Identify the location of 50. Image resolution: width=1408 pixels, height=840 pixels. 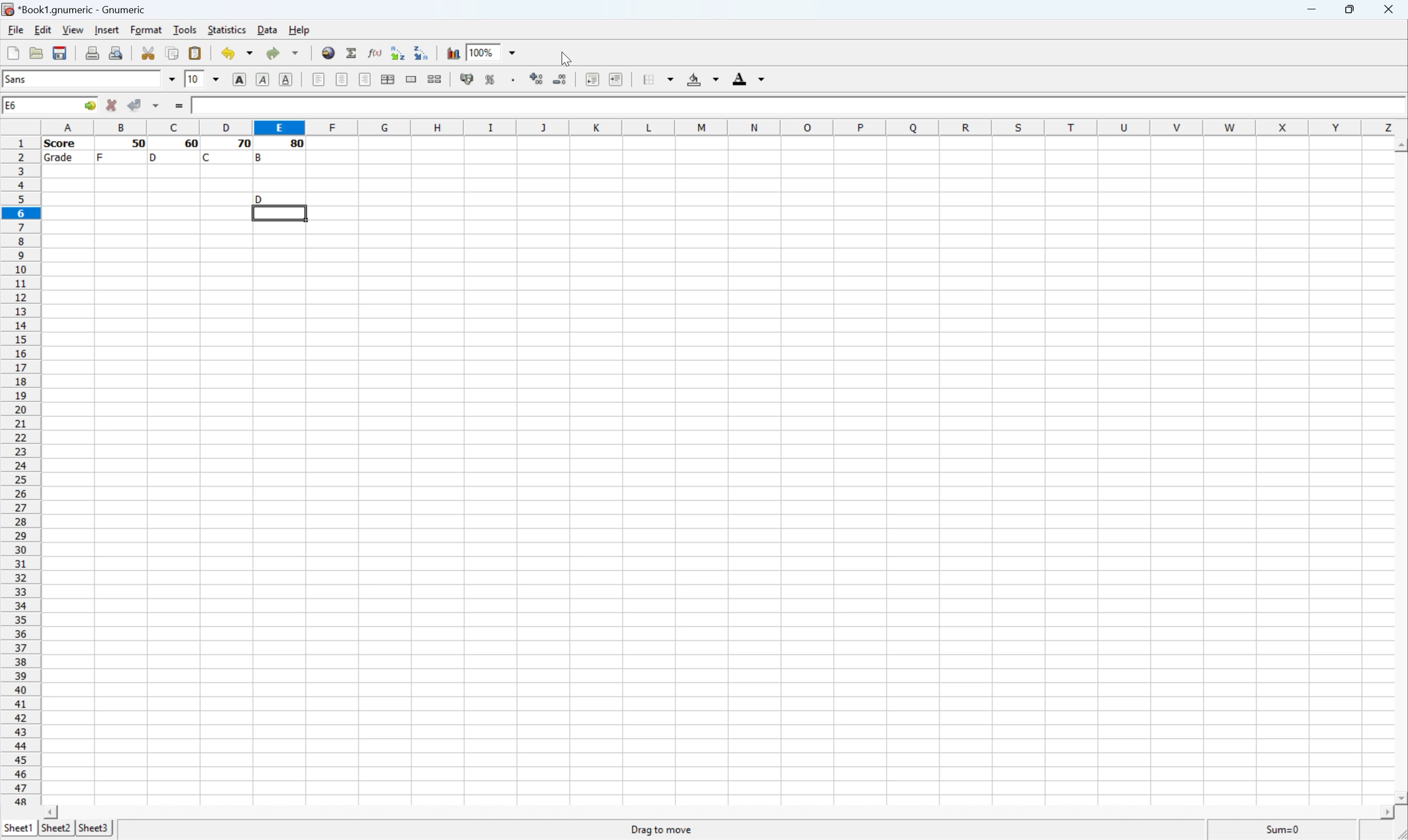
(139, 143).